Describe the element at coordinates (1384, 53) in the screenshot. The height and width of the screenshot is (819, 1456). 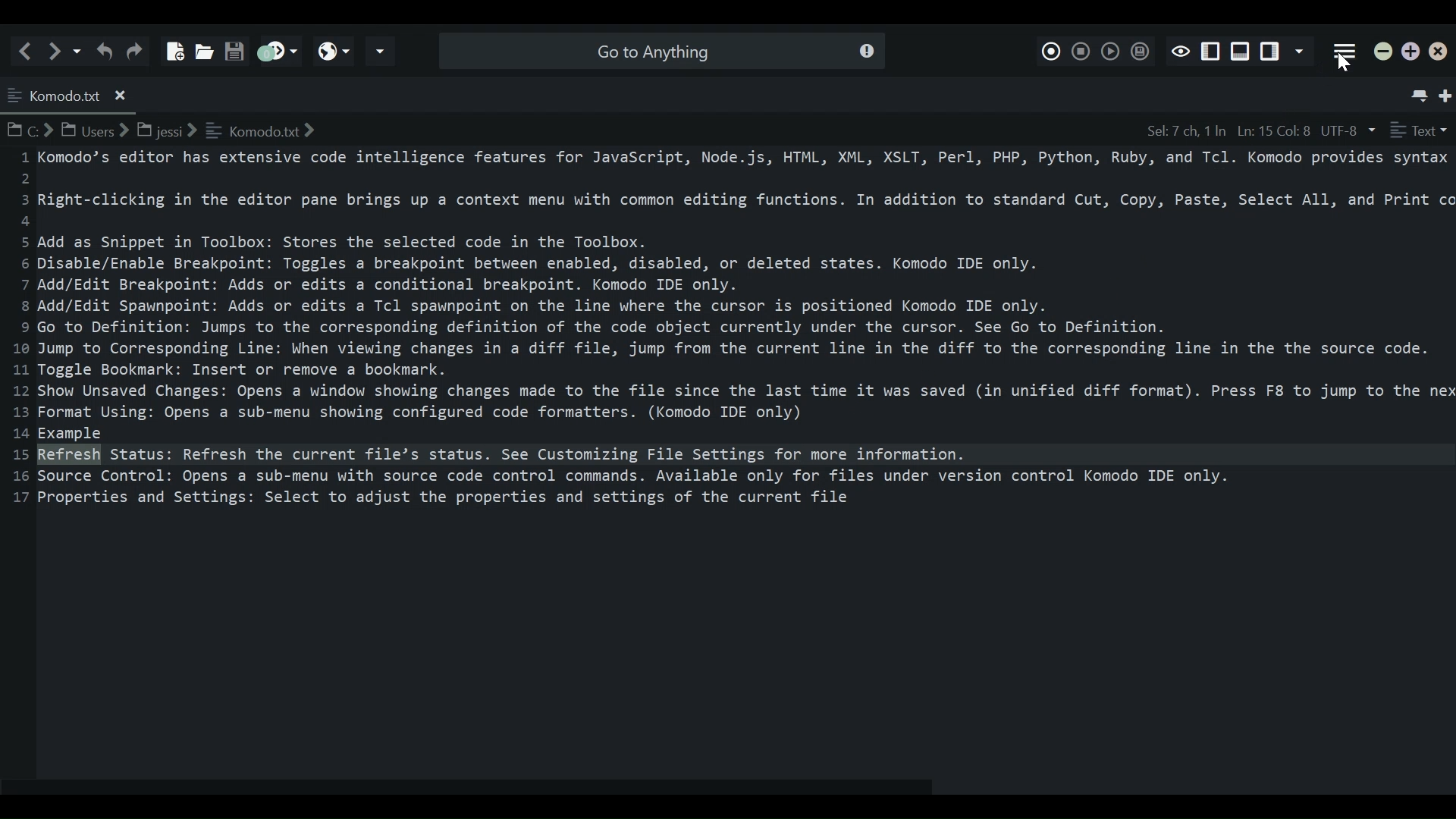
I see `minimize` at that location.